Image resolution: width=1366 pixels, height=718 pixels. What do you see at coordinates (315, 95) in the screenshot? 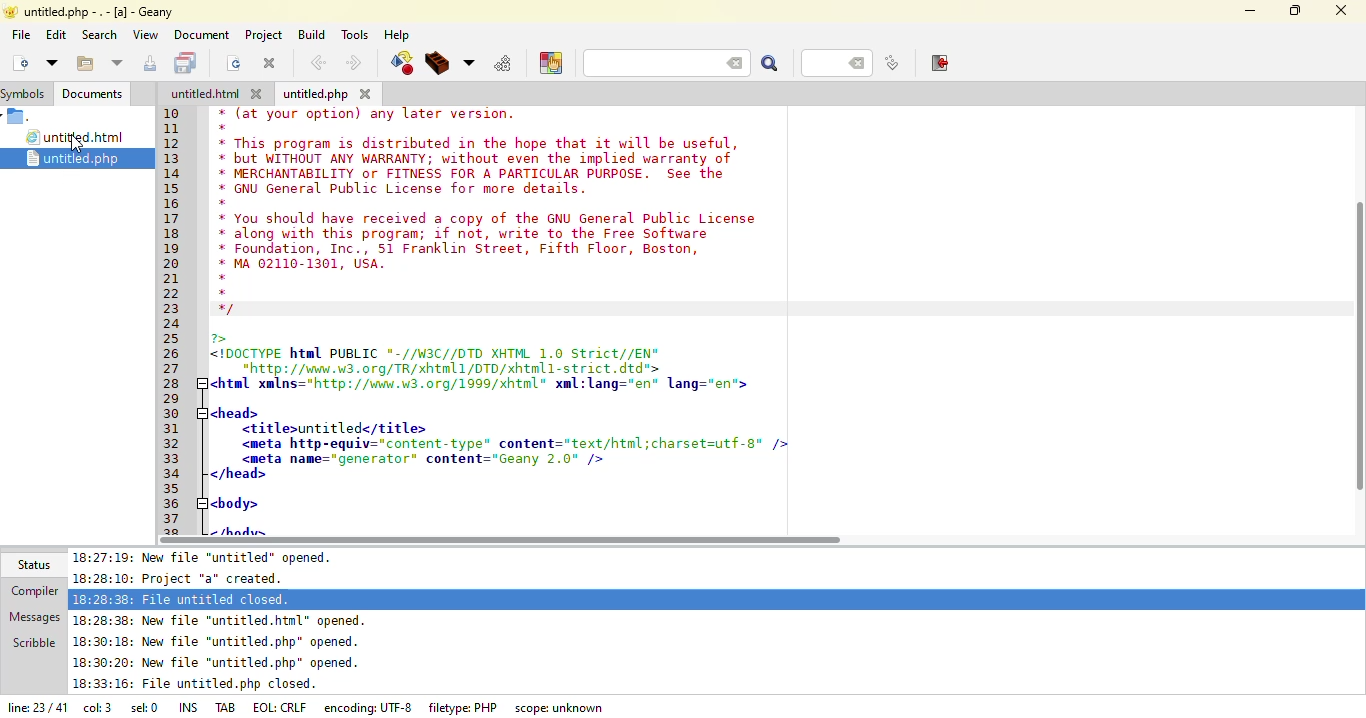
I see `php` at bounding box center [315, 95].